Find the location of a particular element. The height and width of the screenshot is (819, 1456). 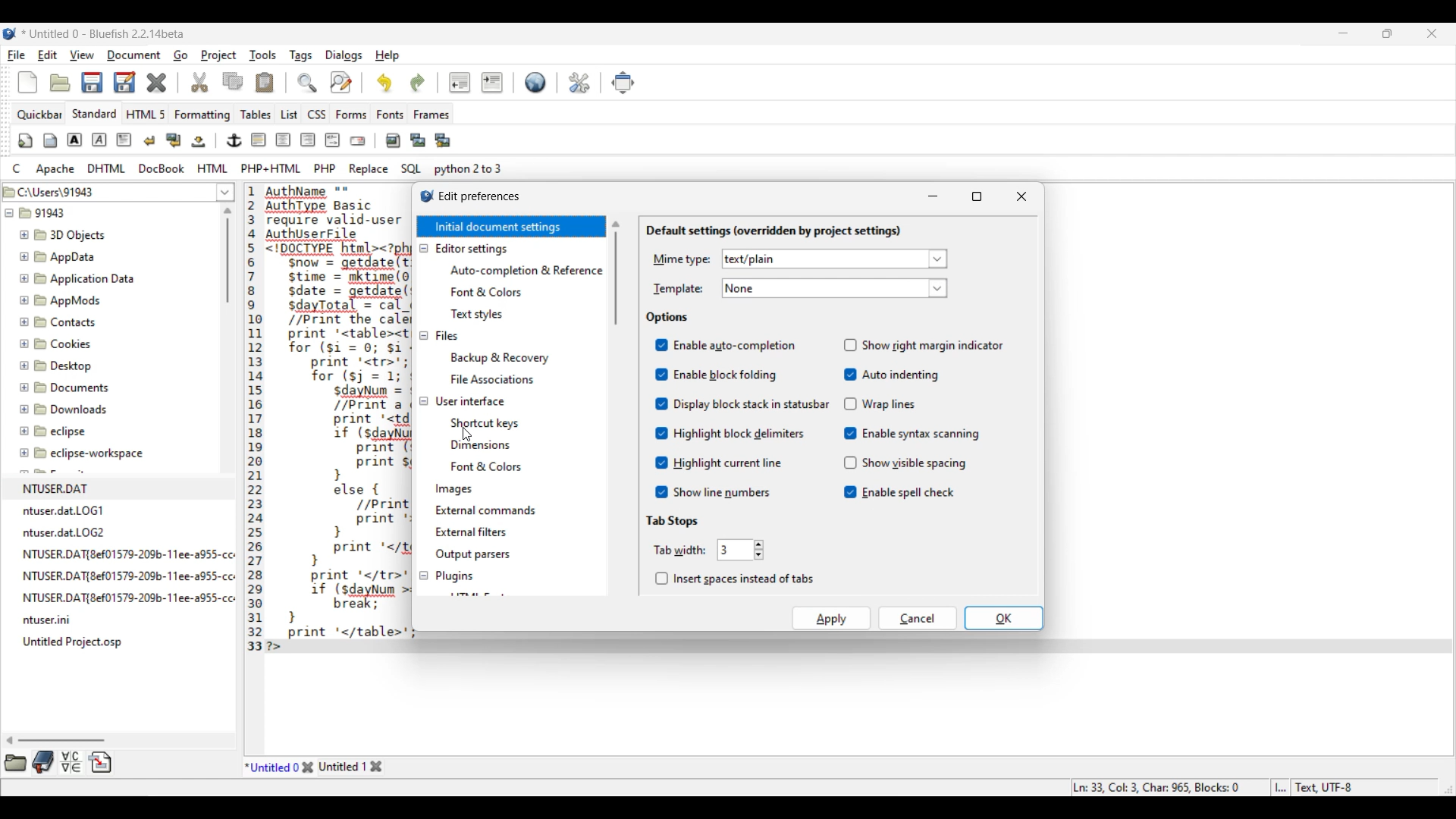

Redo is located at coordinates (418, 83).